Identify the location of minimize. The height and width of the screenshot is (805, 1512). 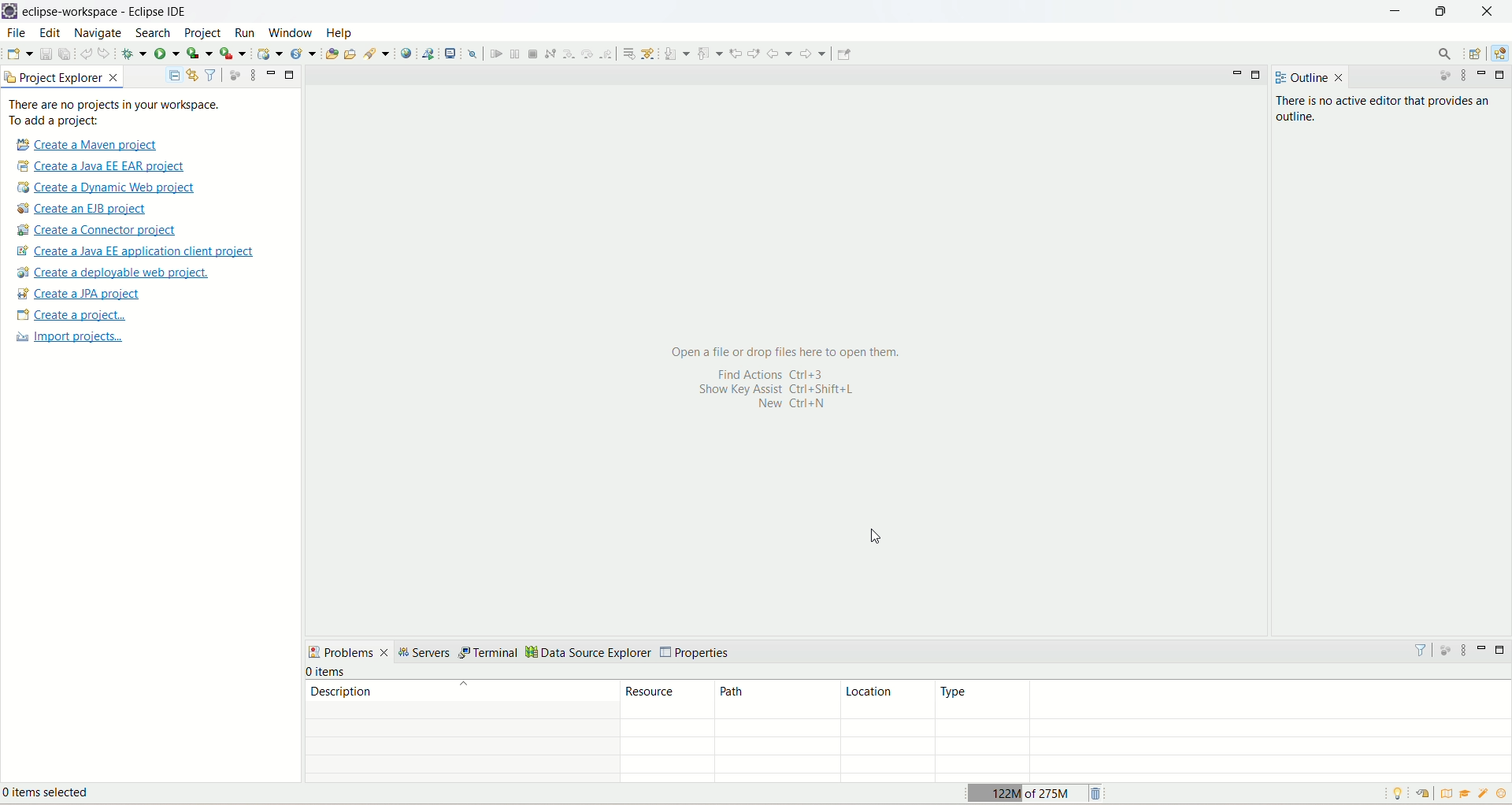
(1237, 77).